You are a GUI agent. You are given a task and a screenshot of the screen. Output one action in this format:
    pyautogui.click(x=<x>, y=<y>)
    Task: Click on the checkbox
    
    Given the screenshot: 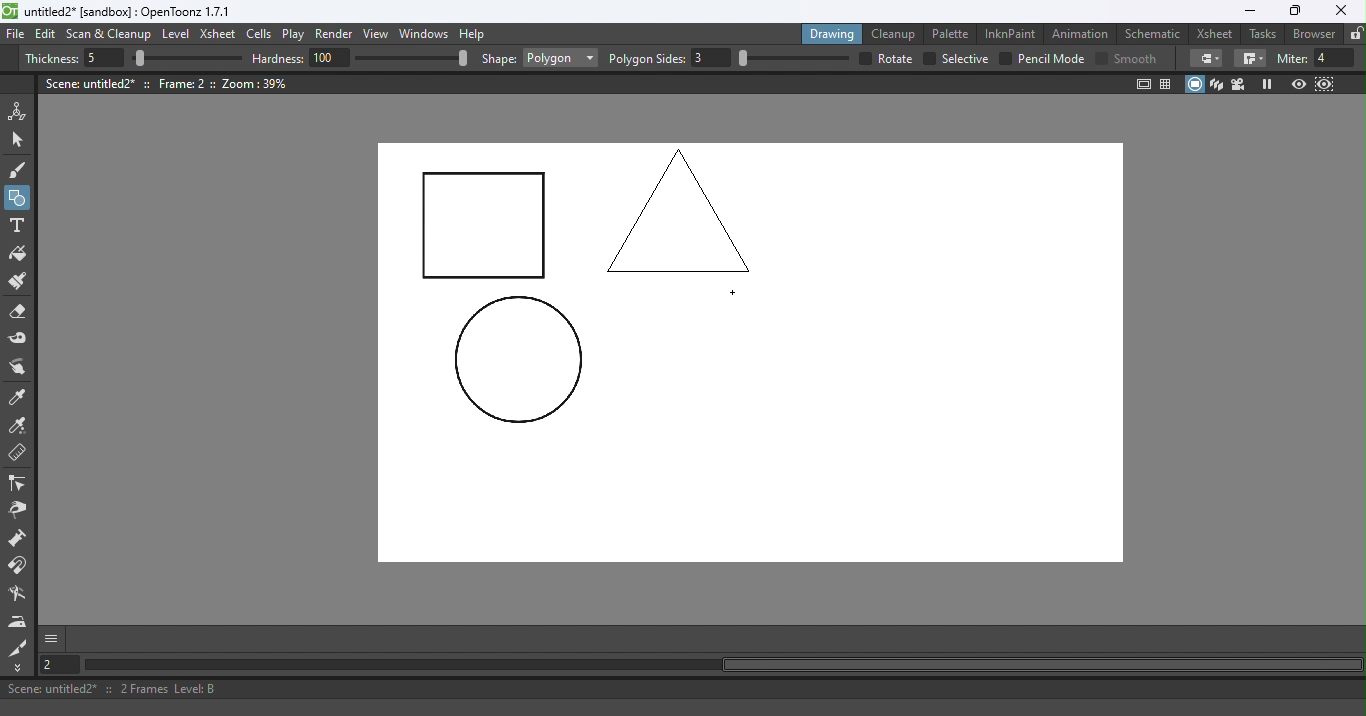 What is the action you would take?
    pyautogui.click(x=1005, y=58)
    